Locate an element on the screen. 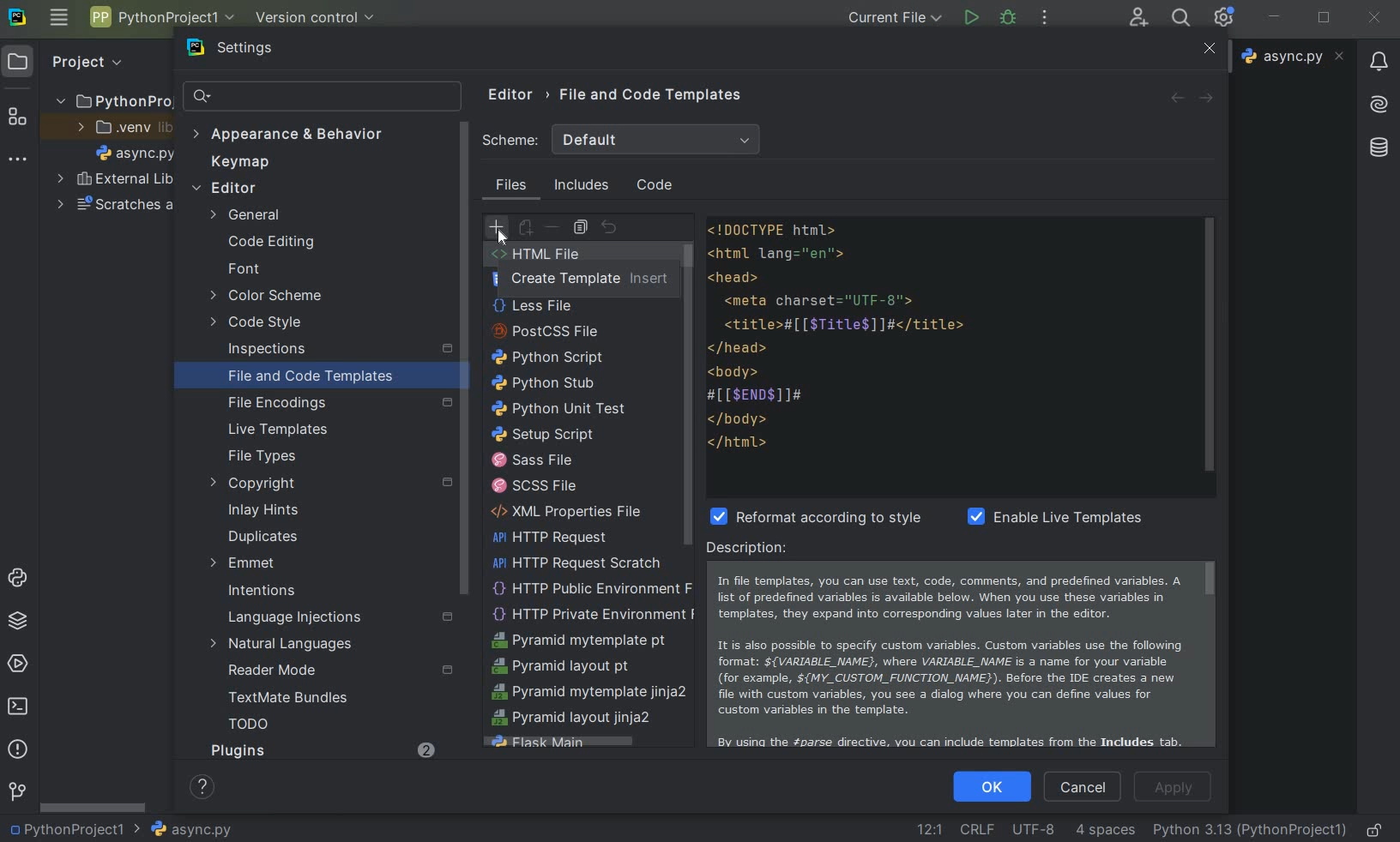  Pyramid mytemplate pt is located at coordinates (582, 642).